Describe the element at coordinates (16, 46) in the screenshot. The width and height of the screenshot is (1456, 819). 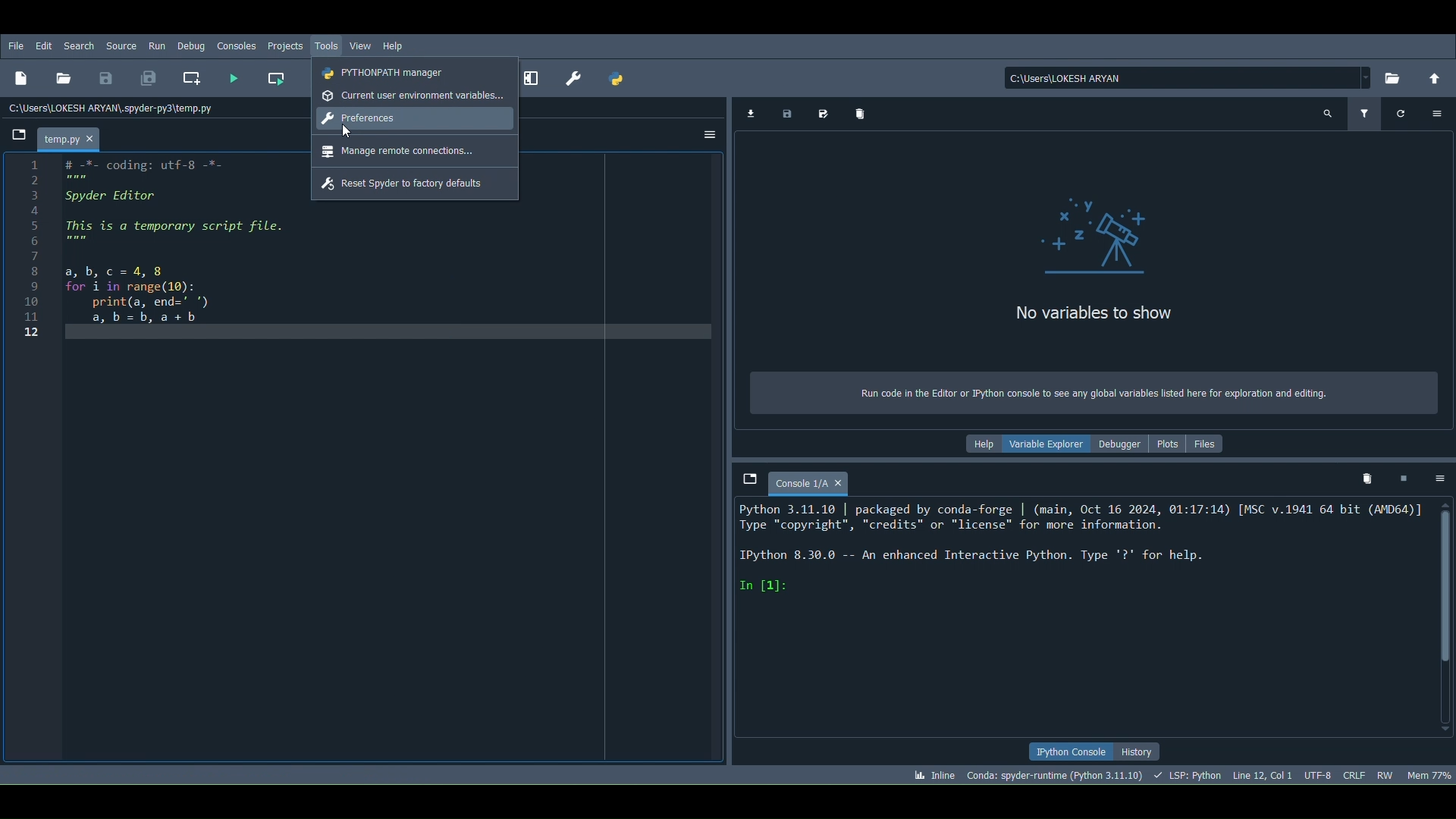
I see `File` at that location.